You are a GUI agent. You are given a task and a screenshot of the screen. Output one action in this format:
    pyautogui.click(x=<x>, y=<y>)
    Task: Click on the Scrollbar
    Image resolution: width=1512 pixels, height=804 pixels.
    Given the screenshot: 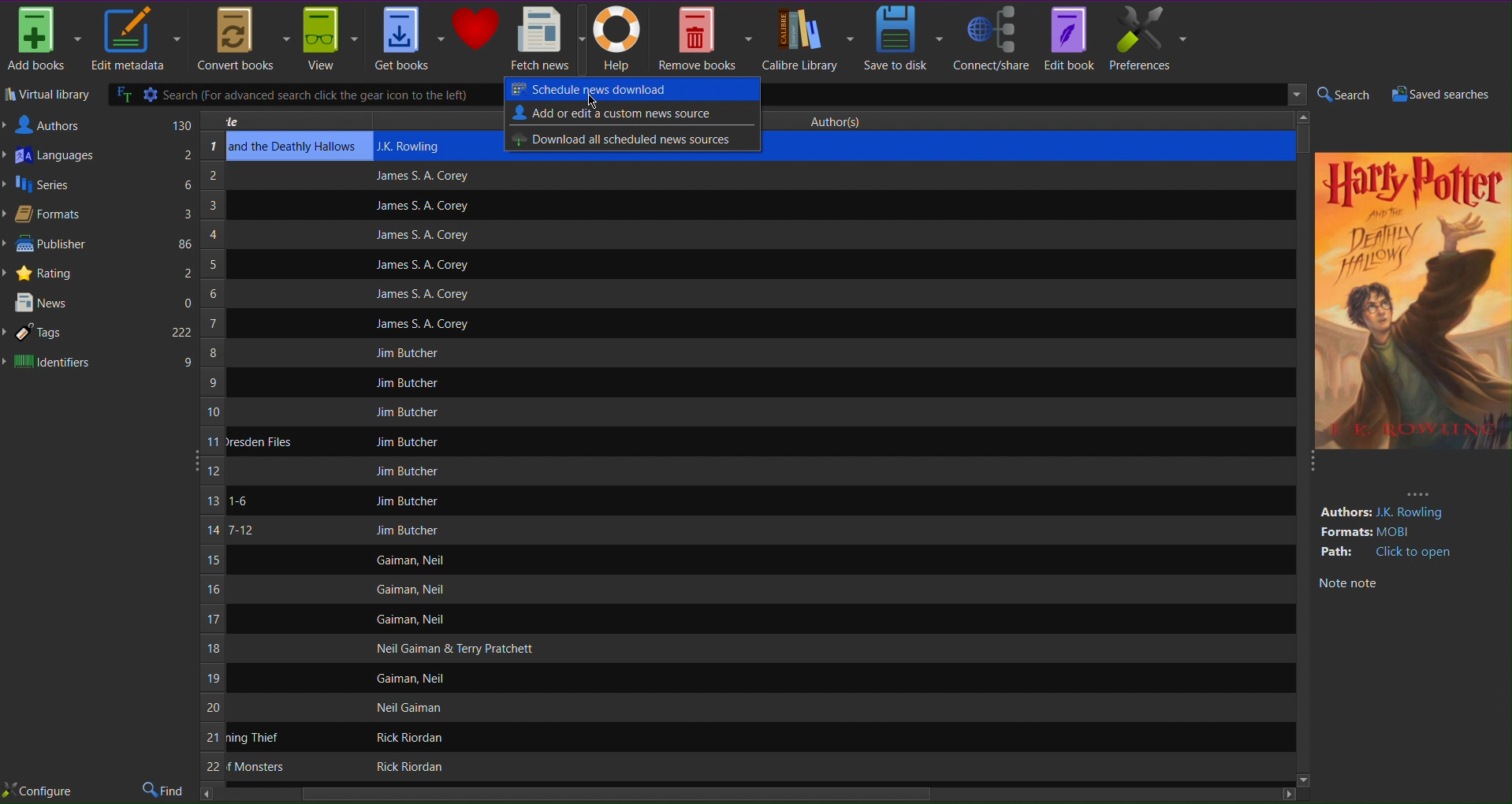 What is the action you would take?
    pyautogui.click(x=749, y=795)
    